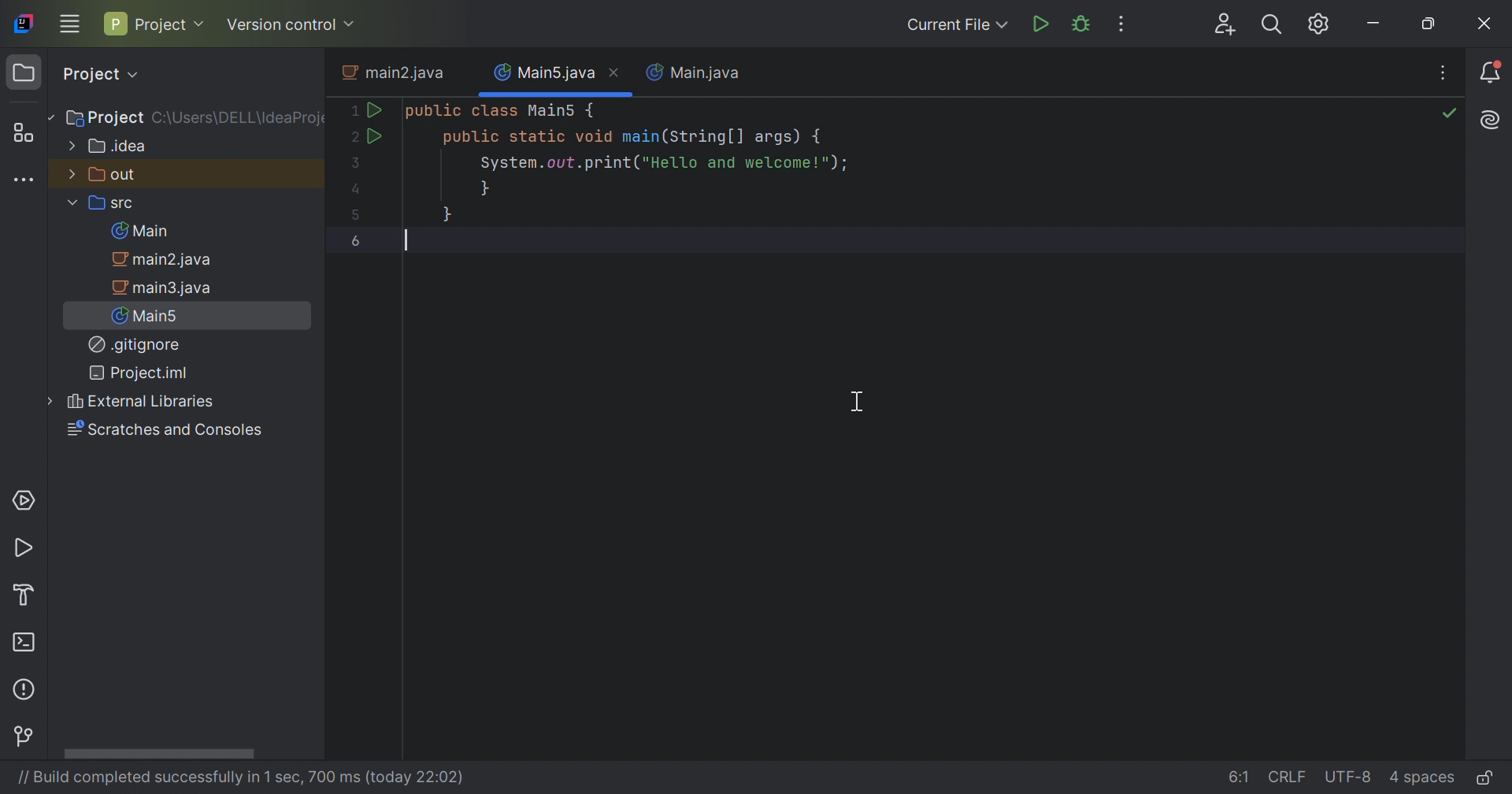 This screenshot has width=1512, height=794. Describe the element at coordinates (169, 260) in the screenshot. I see `main2.java` at that location.